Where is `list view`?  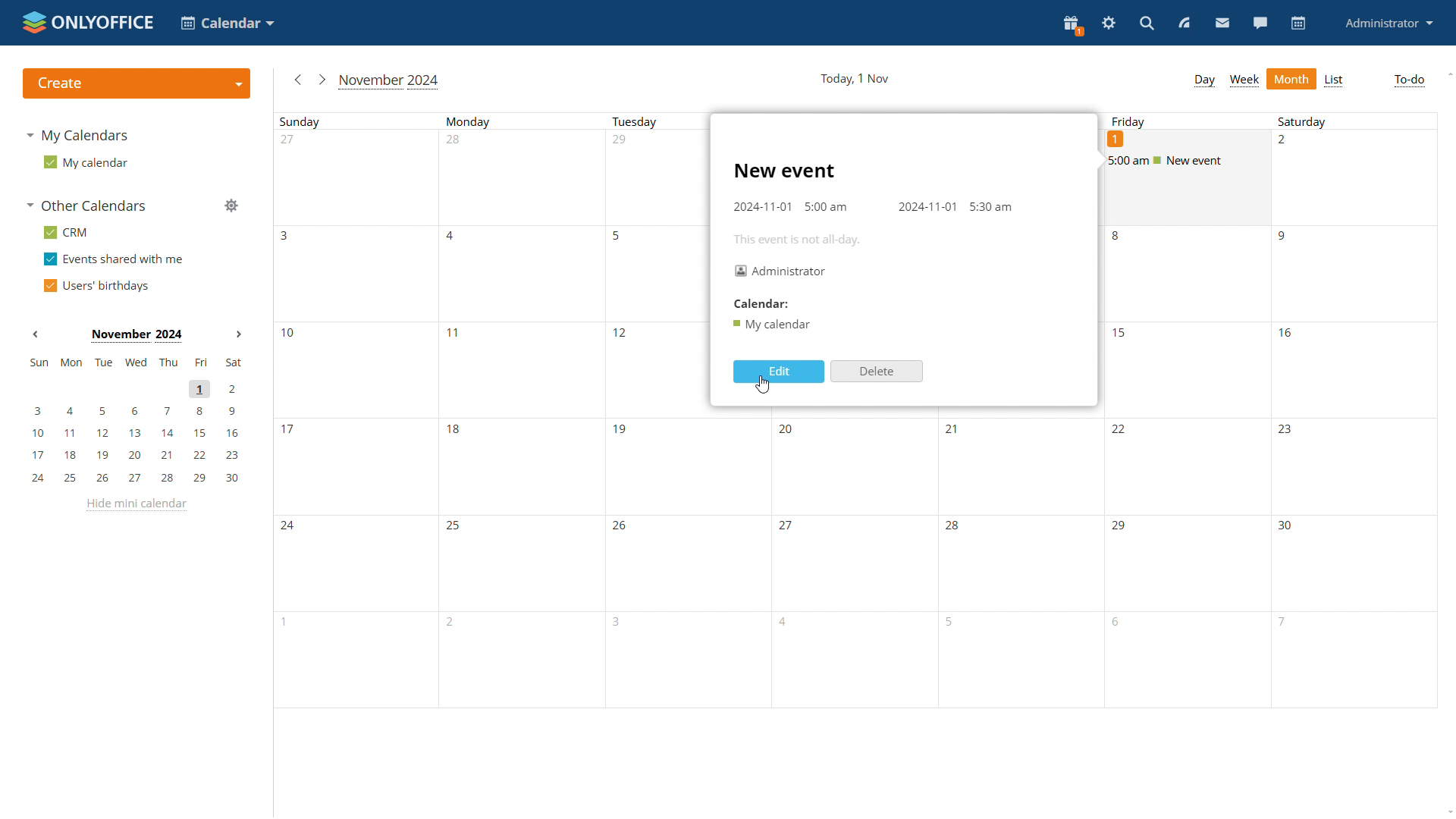 list view is located at coordinates (1335, 81).